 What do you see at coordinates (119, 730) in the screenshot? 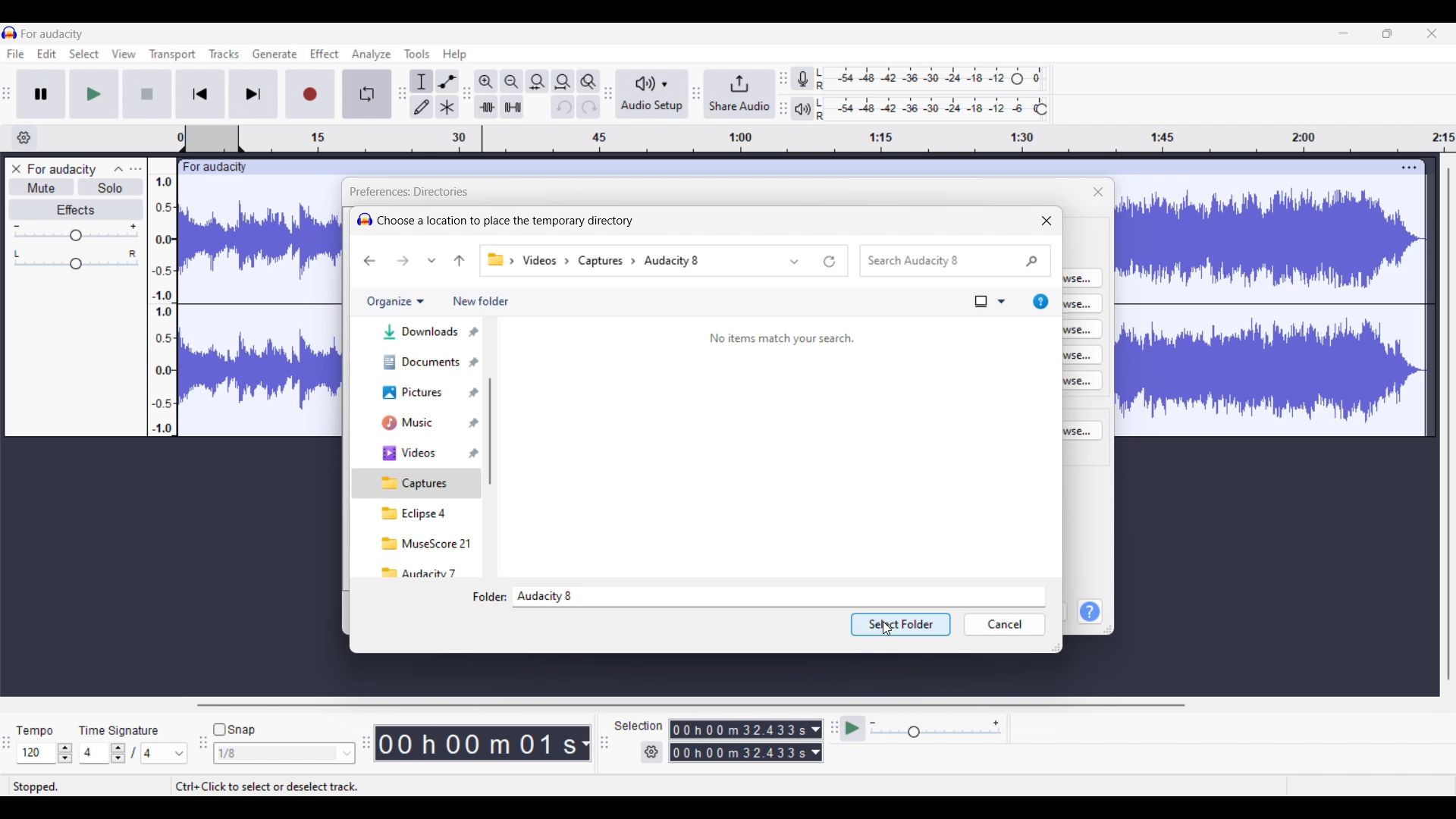
I see `Indicates time signature settings` at bounding box center [119, 730].